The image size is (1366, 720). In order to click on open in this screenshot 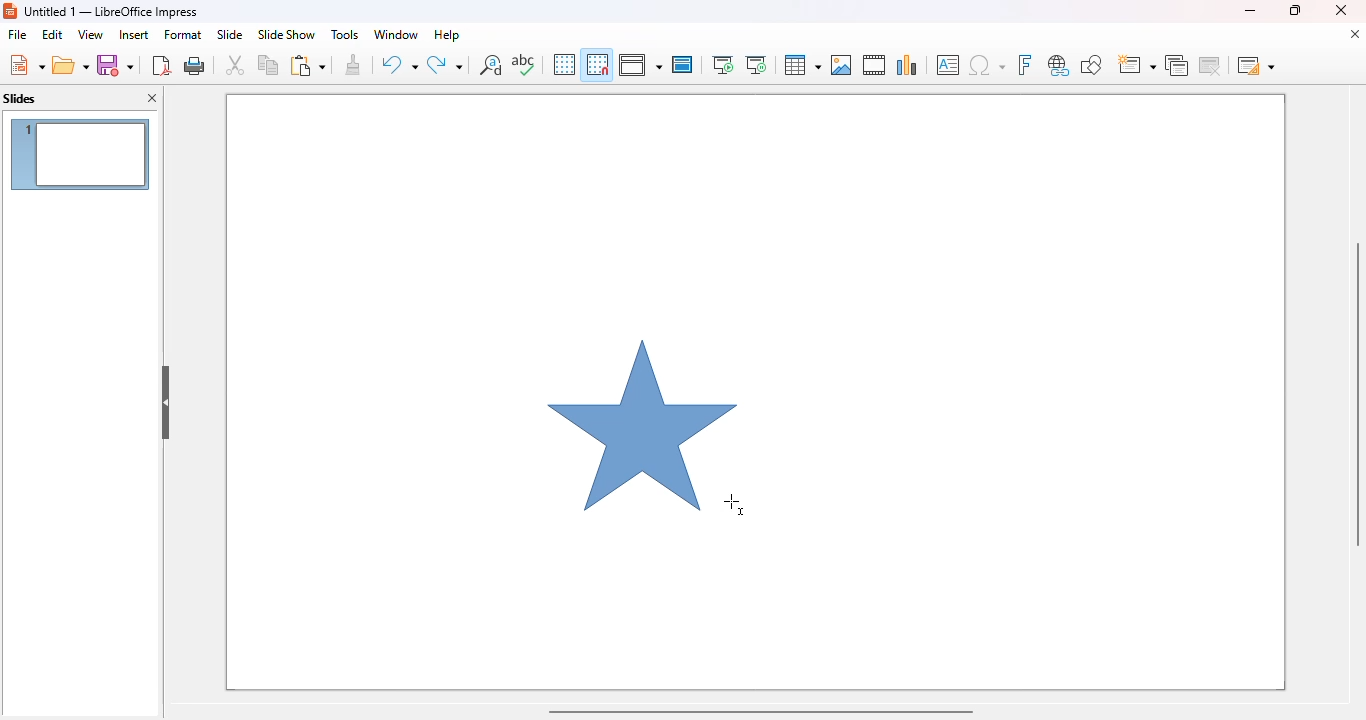, I will do `click(71, 66)`.